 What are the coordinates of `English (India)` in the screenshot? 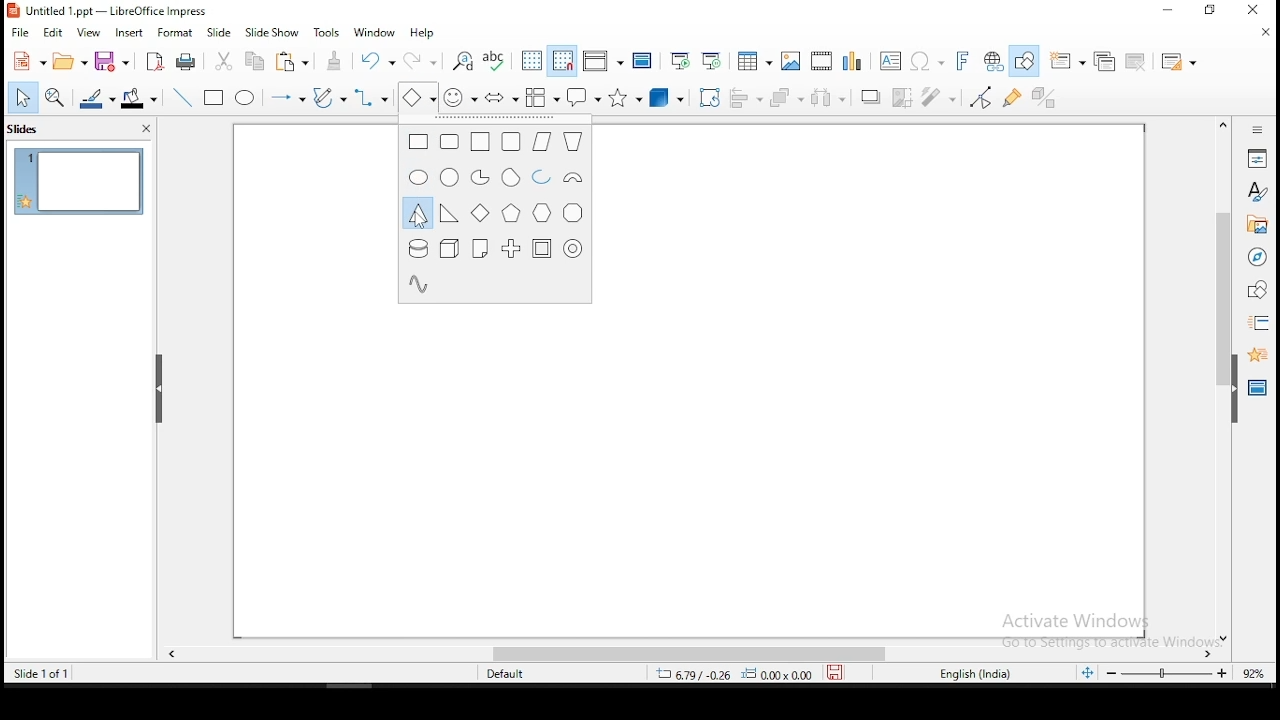 It's located at (974, 675).